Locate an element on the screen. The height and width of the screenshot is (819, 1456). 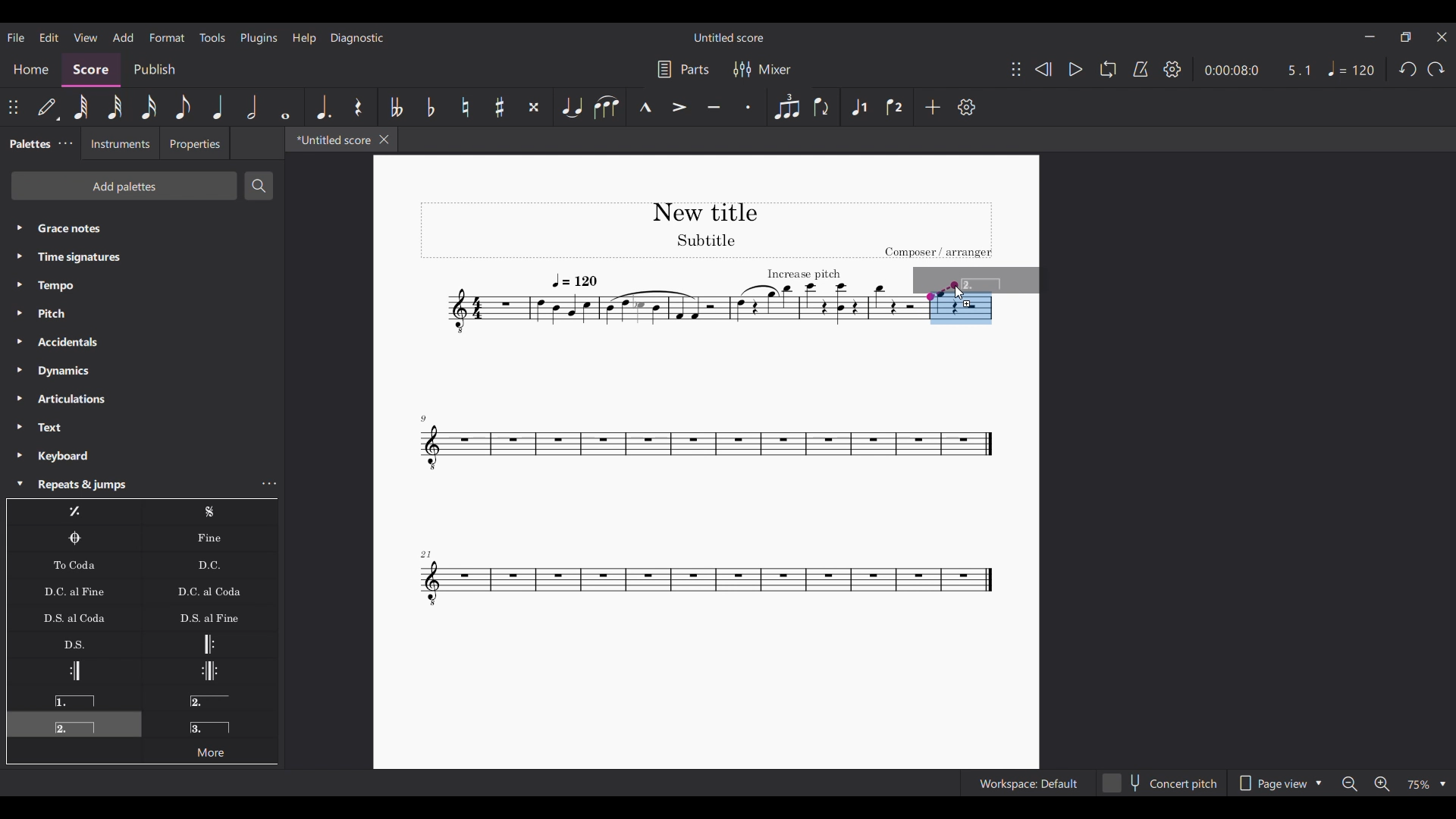
Redo is located at coordinates (1436, 69).